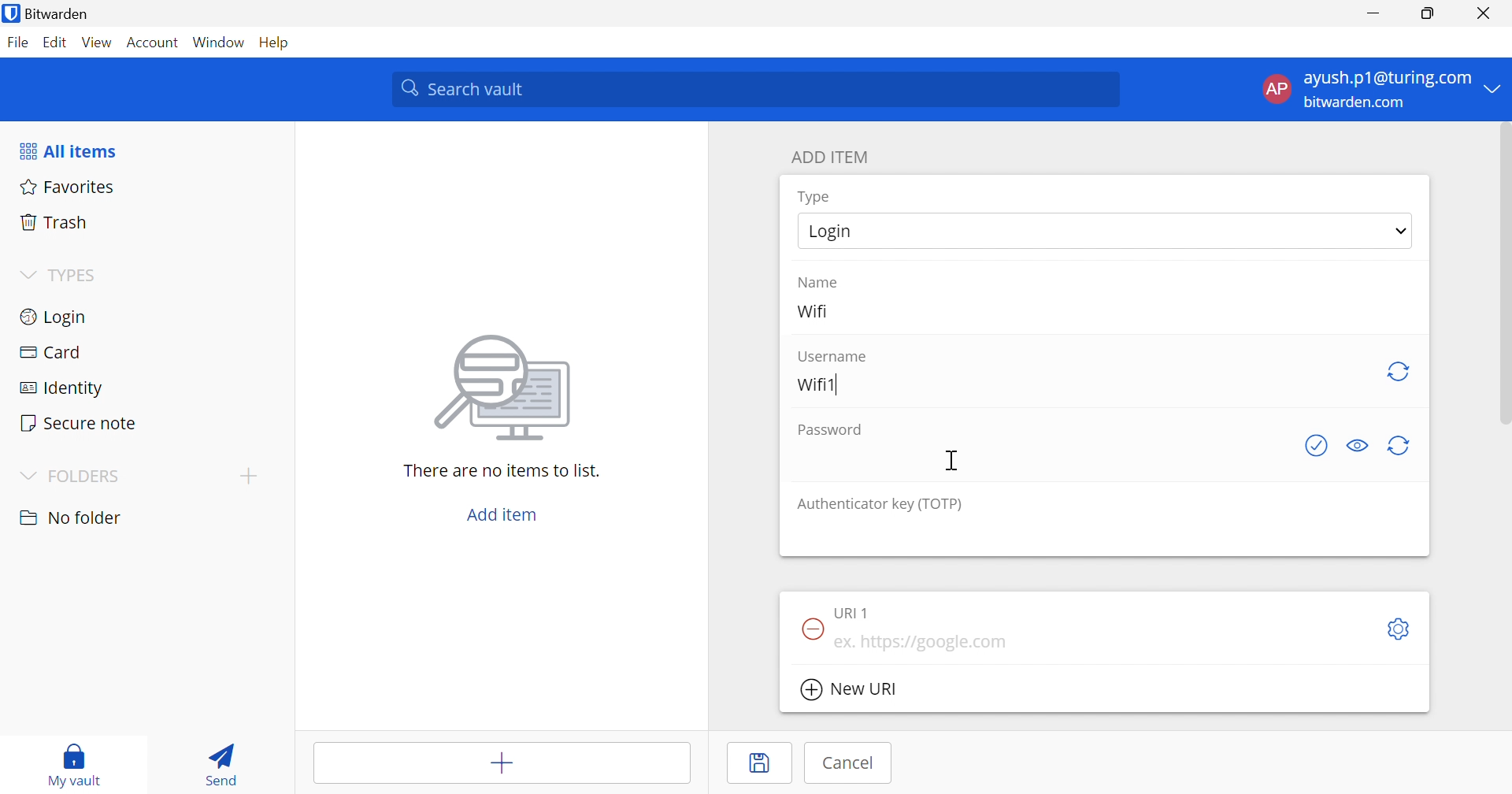 The height and width of the screenshot is (794, 1512). I want to click on Drop Down, so click(27, 276).